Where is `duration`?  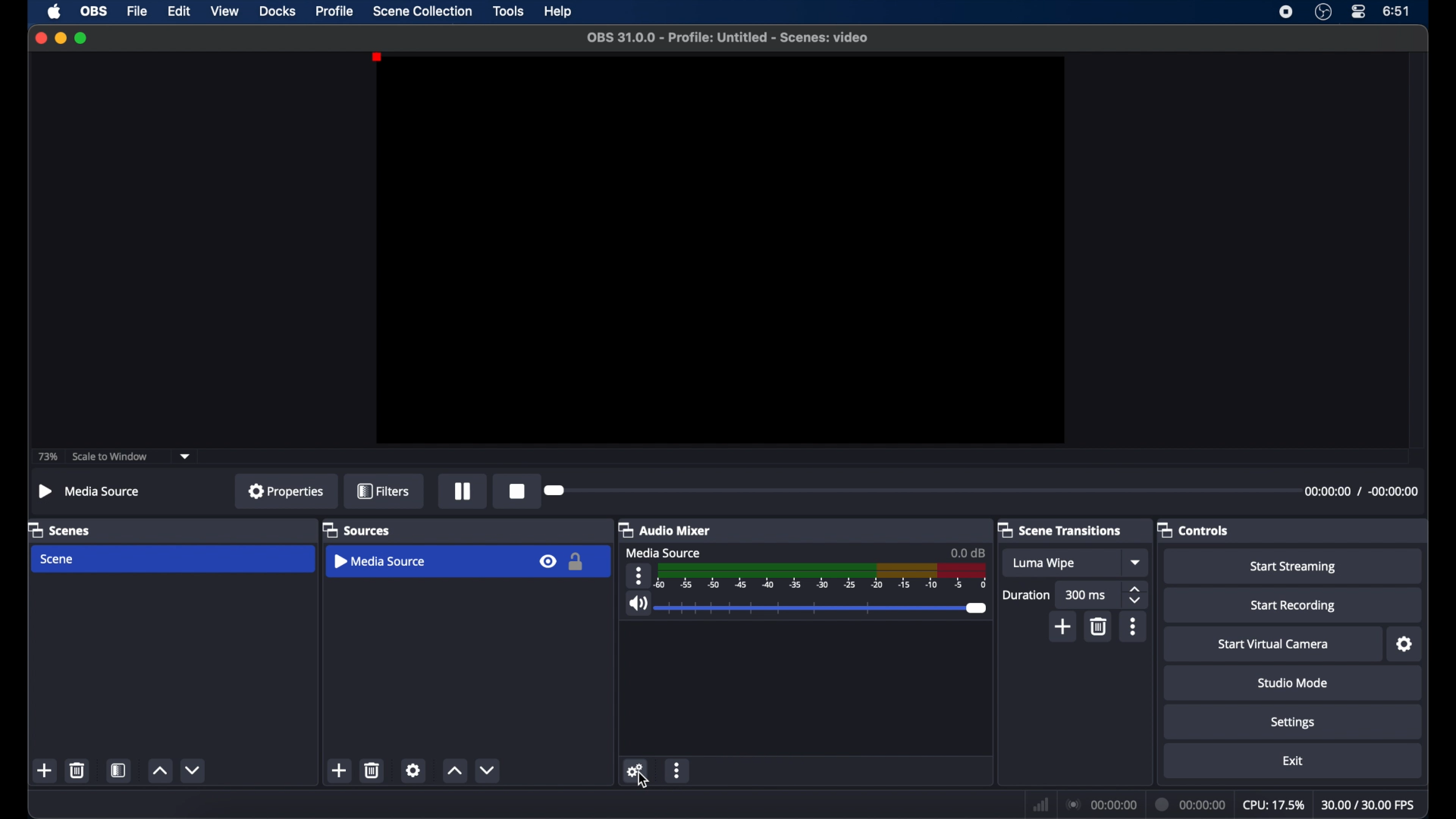 duration is located at coordinates (1191, 804).